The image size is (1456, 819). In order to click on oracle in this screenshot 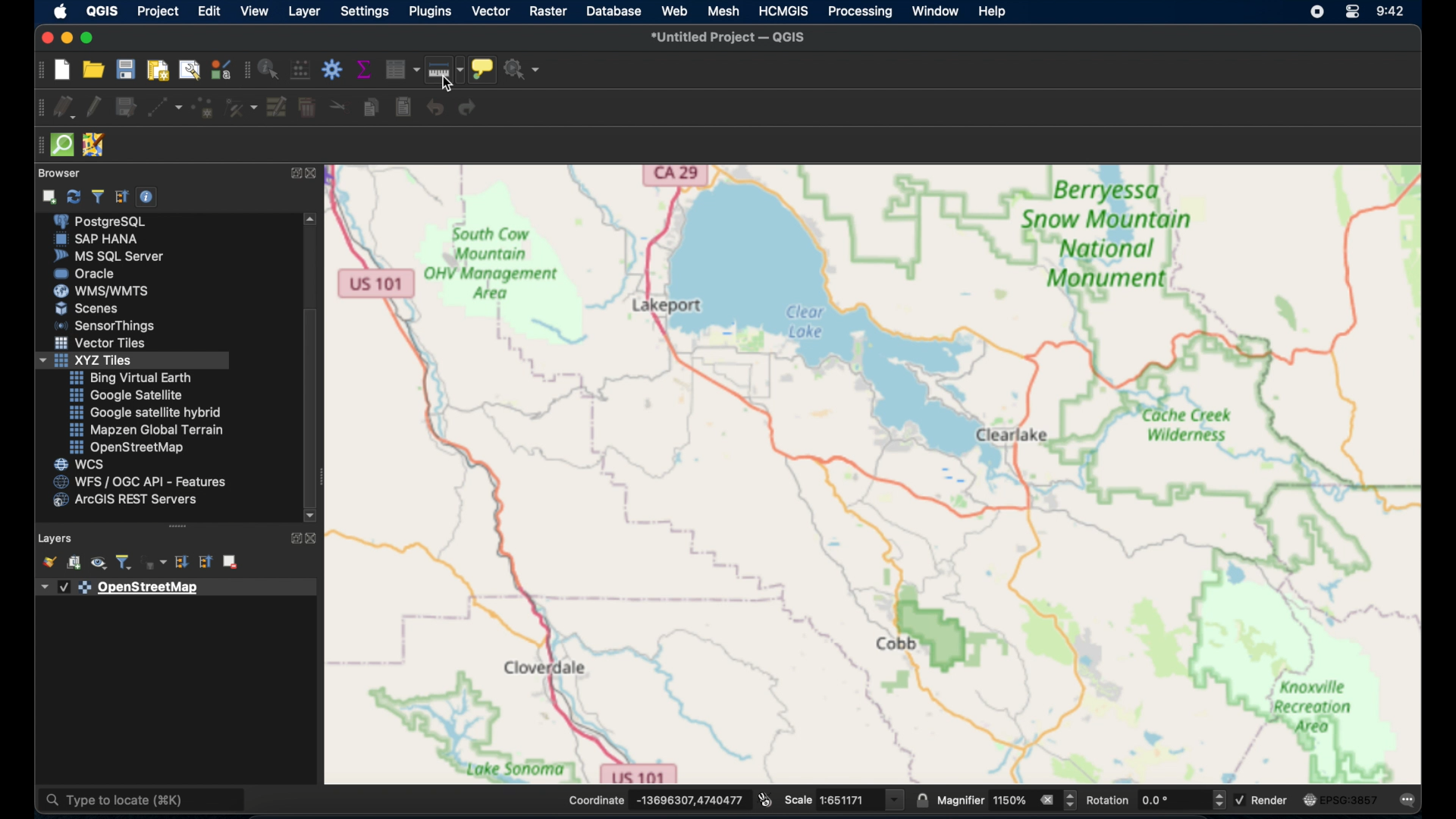, I will do `click(88, 273)`.